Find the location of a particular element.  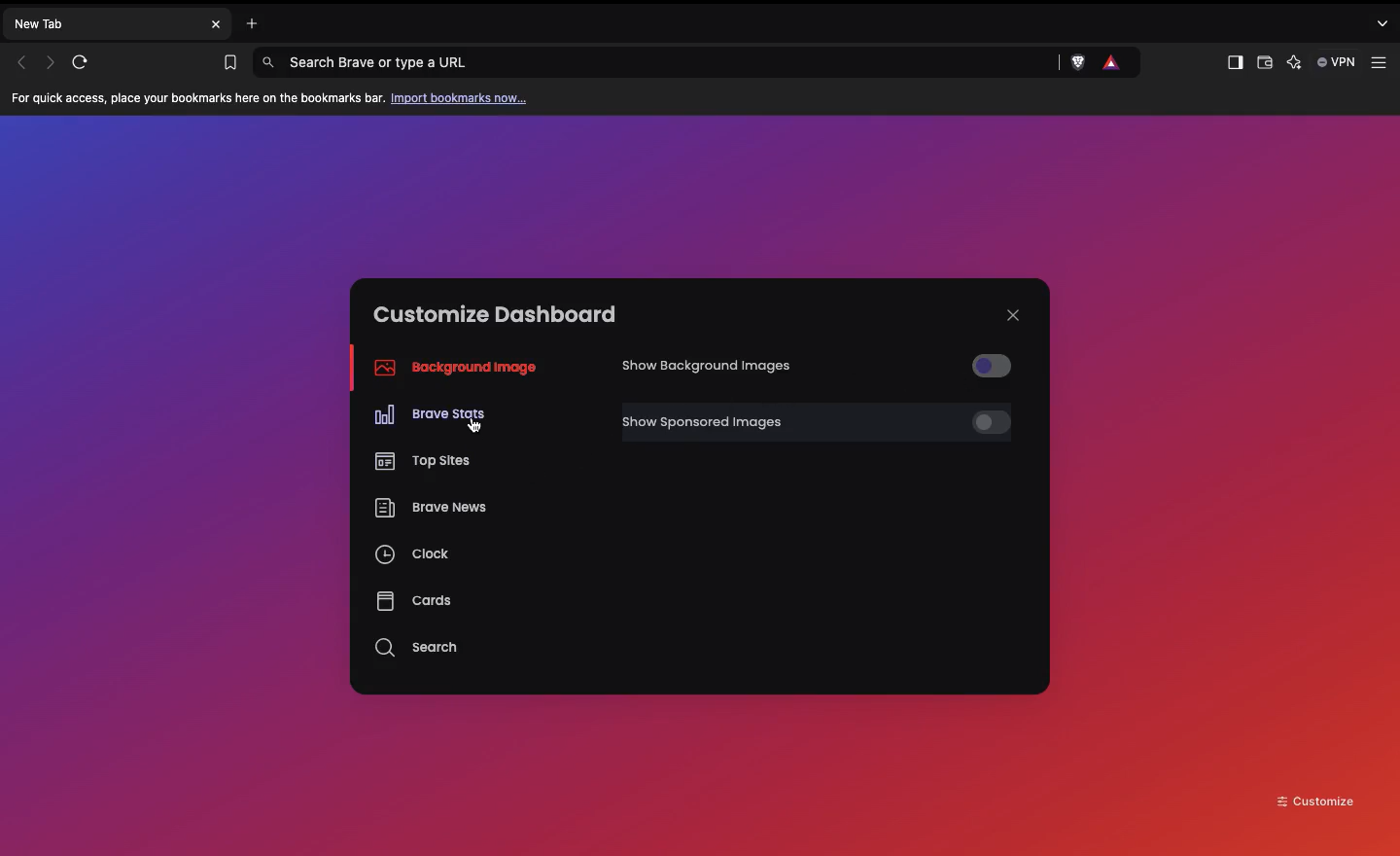

Previous page is located at coordinates (21, 62).